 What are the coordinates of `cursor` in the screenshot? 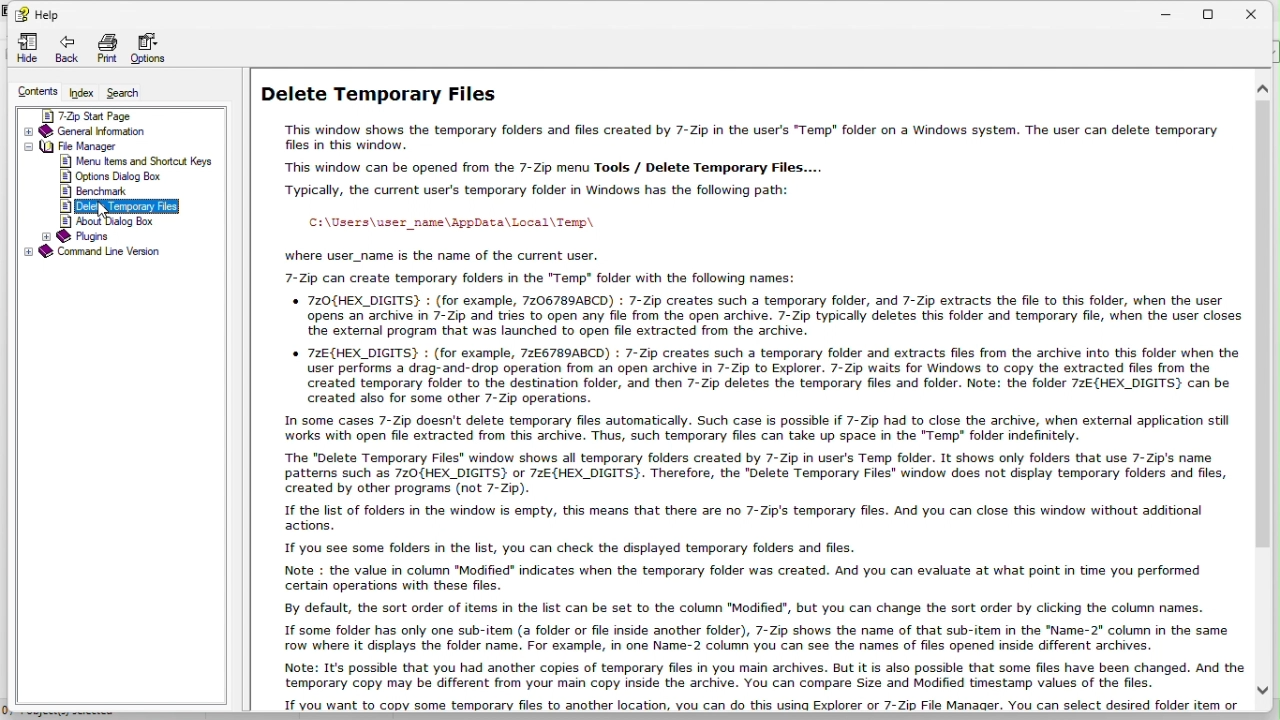 It's located at (103, 210).